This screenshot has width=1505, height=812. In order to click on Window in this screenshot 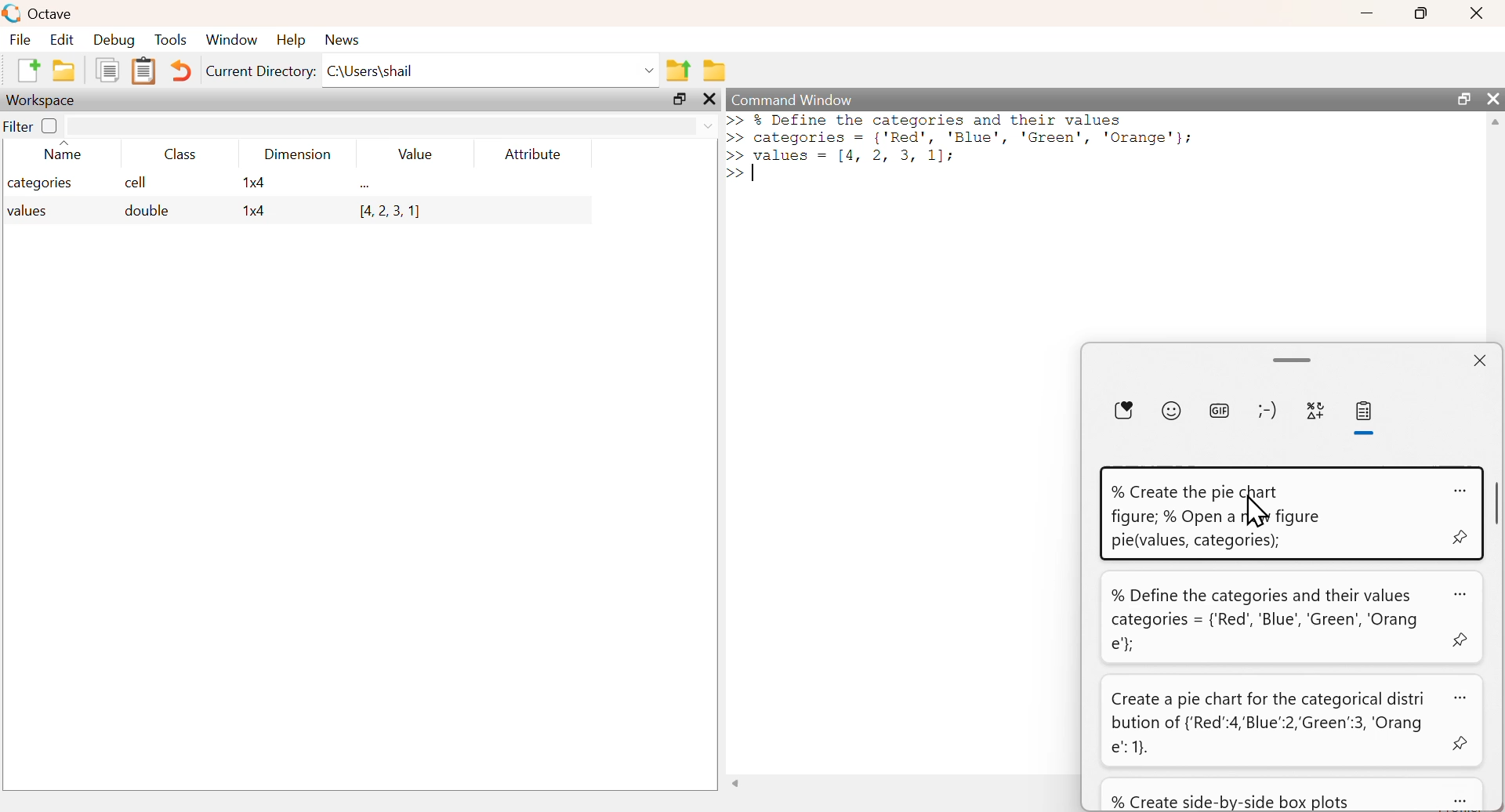, I will do `click(232, 40)`.